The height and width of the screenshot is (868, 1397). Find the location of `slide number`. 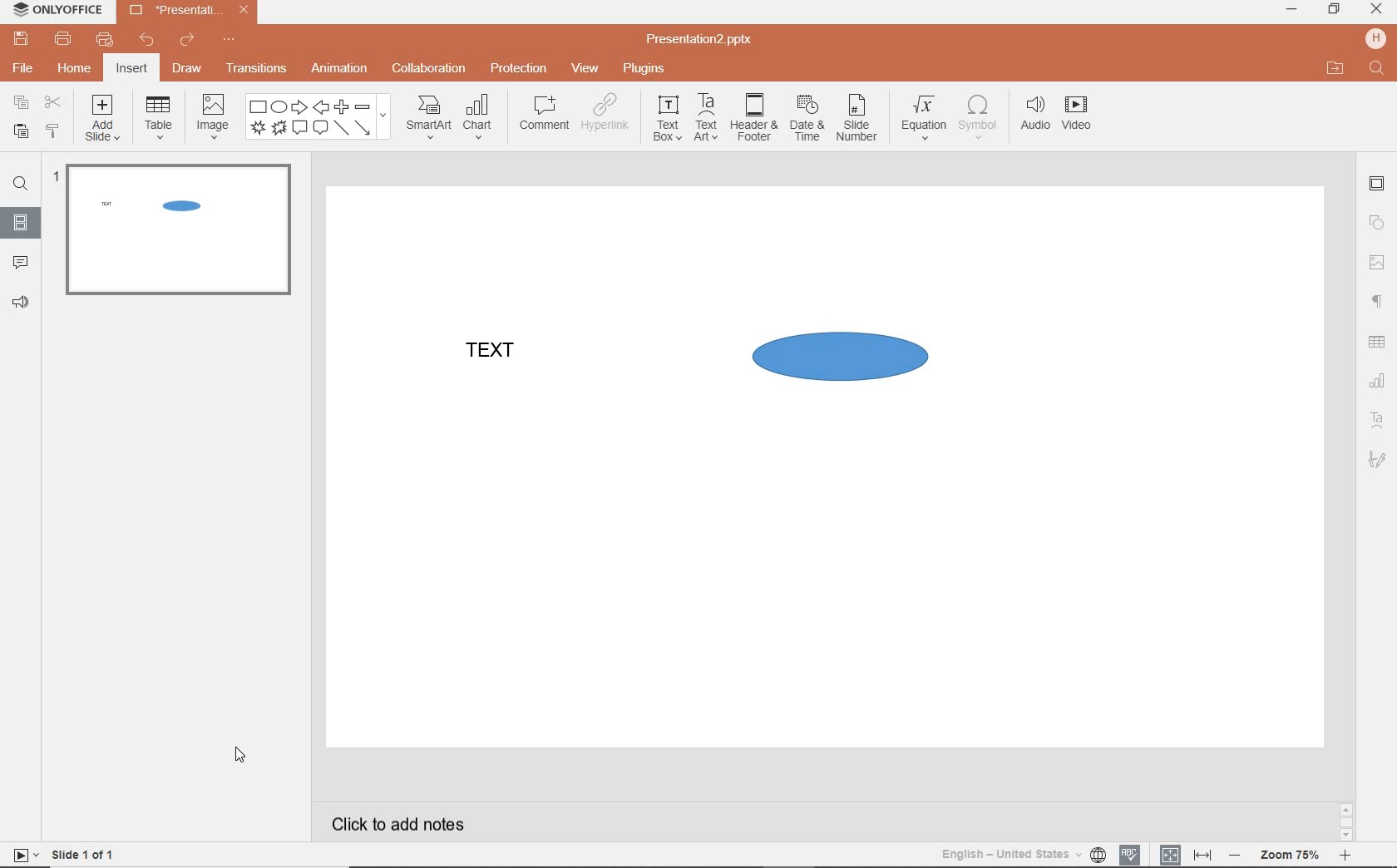

slide number is located at coordinates (856, 121).